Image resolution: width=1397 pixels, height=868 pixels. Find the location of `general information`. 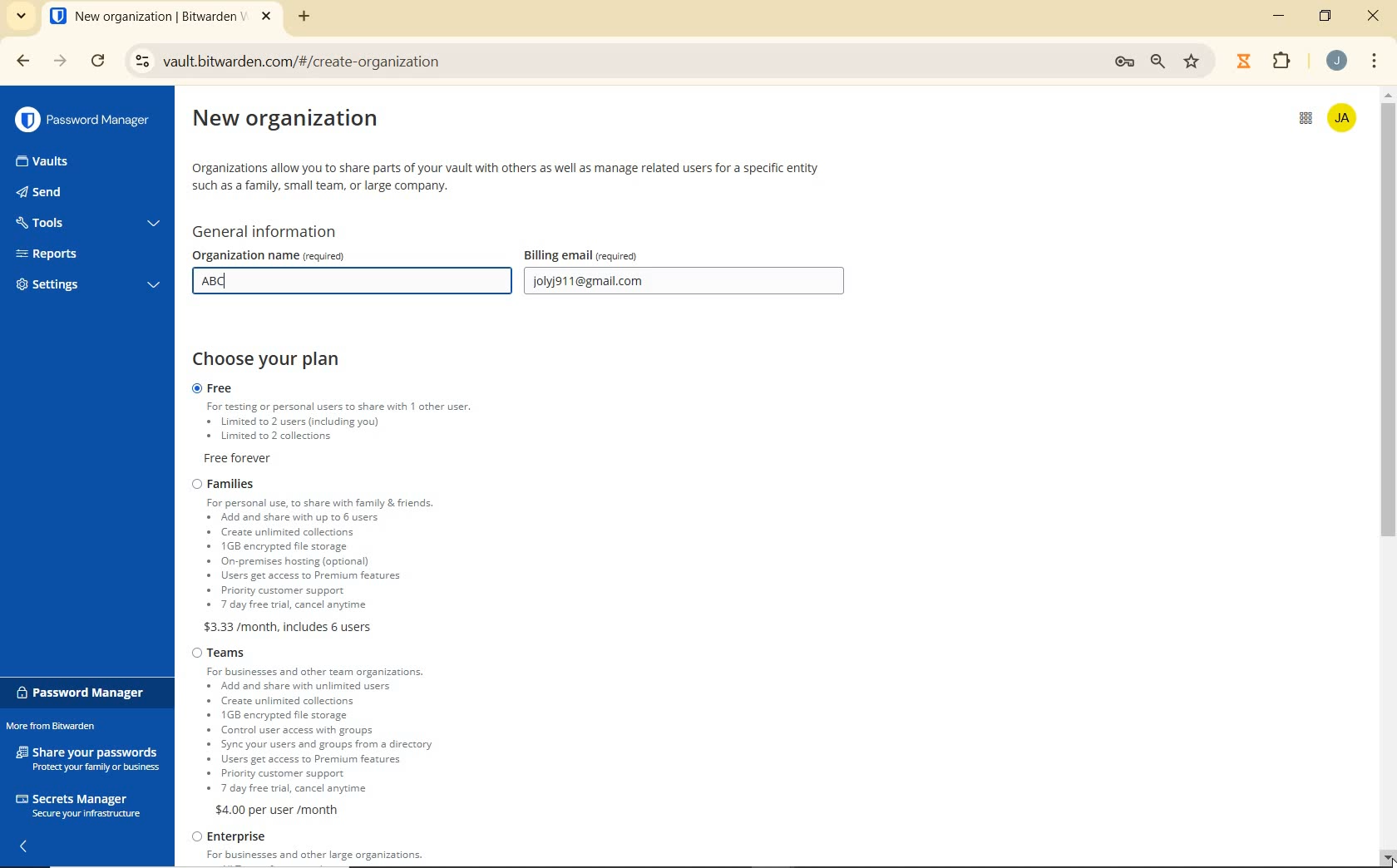

general information is located at coordinates (273, 232).